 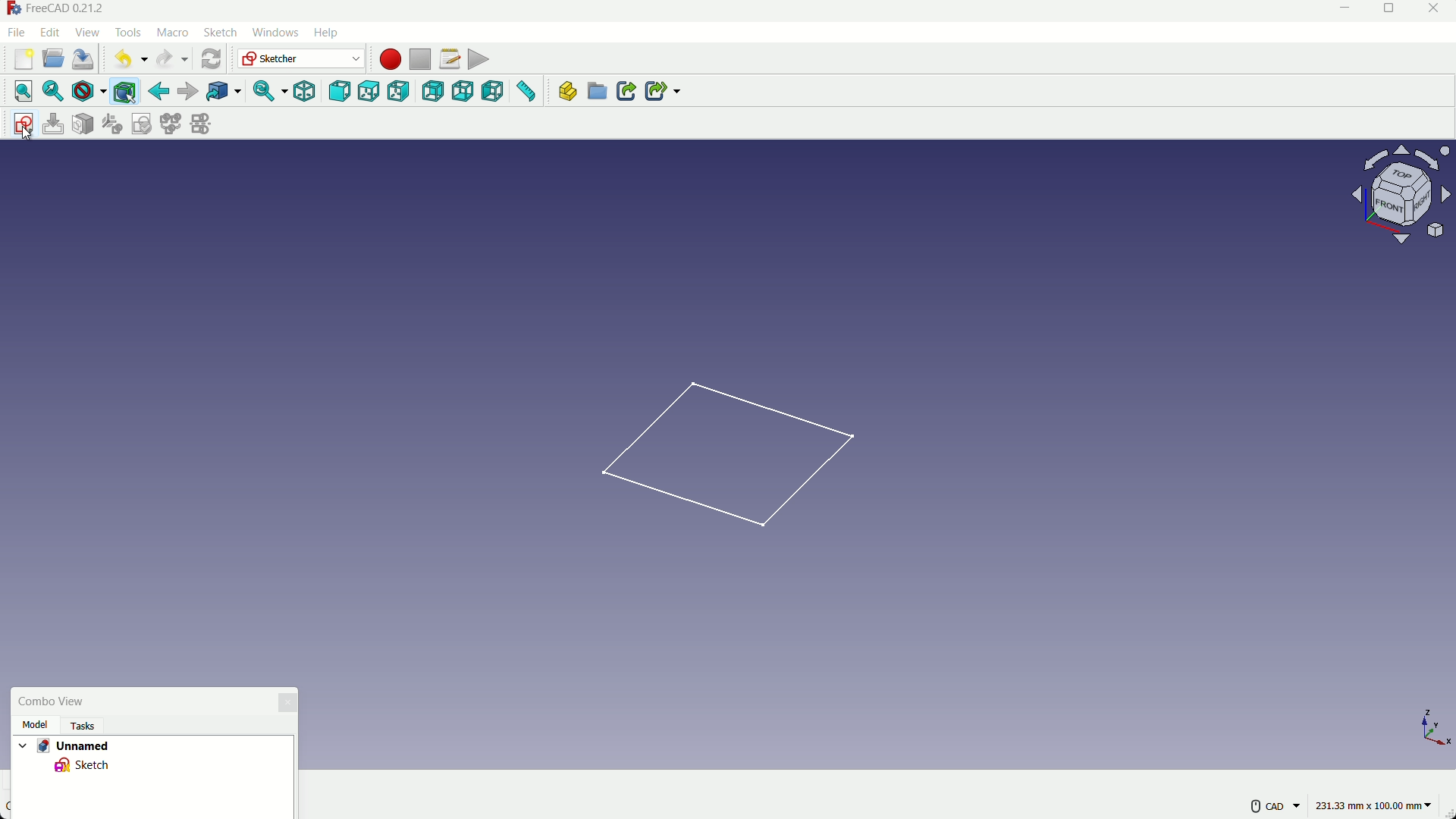 What do you see at coordinates (112, 124) in the screenshot?
I see `reorient sketches` at bounding box center [112, 124].